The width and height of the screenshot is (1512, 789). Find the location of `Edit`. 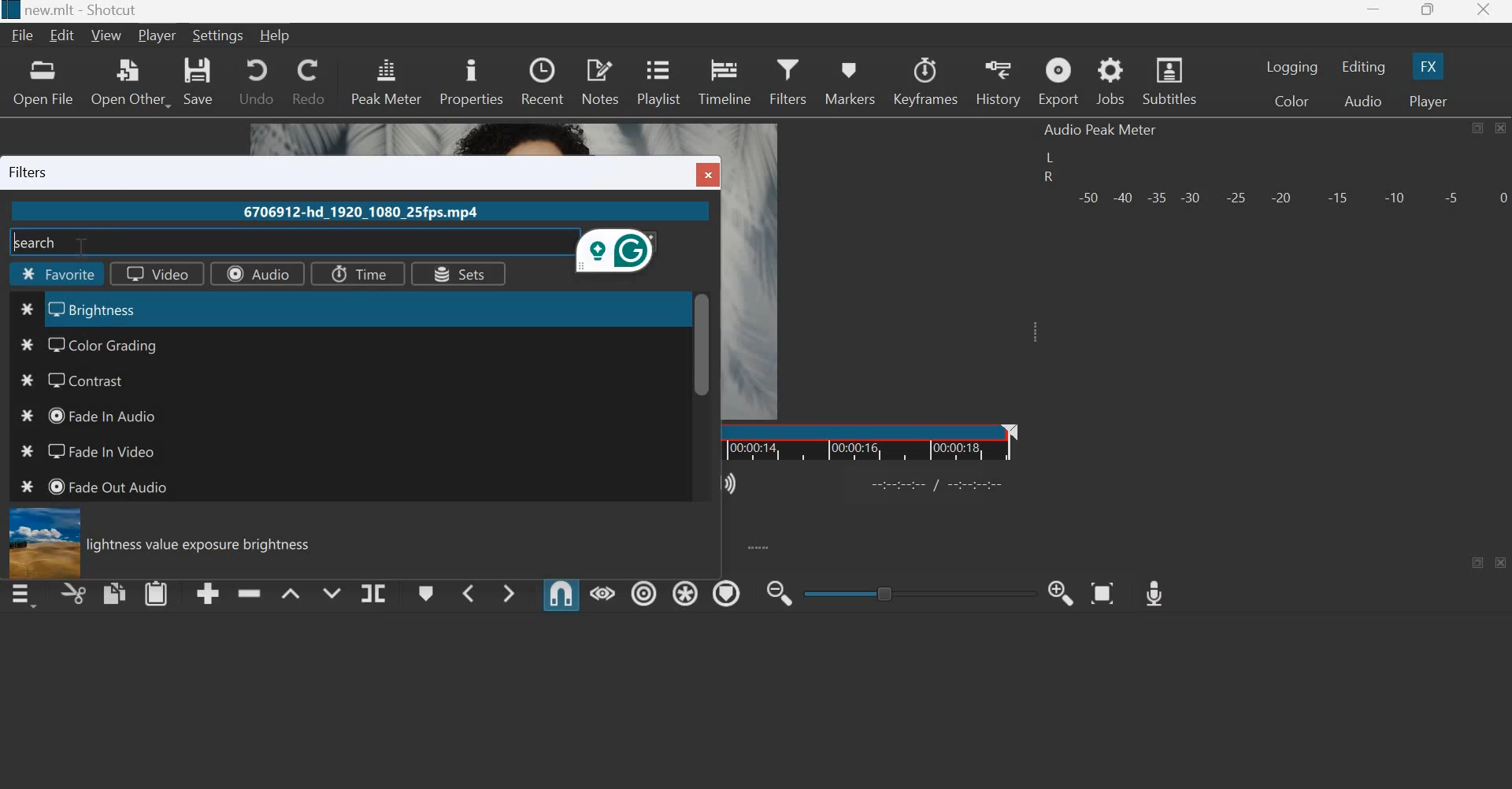

Edit is located at coordinates (65, 35).